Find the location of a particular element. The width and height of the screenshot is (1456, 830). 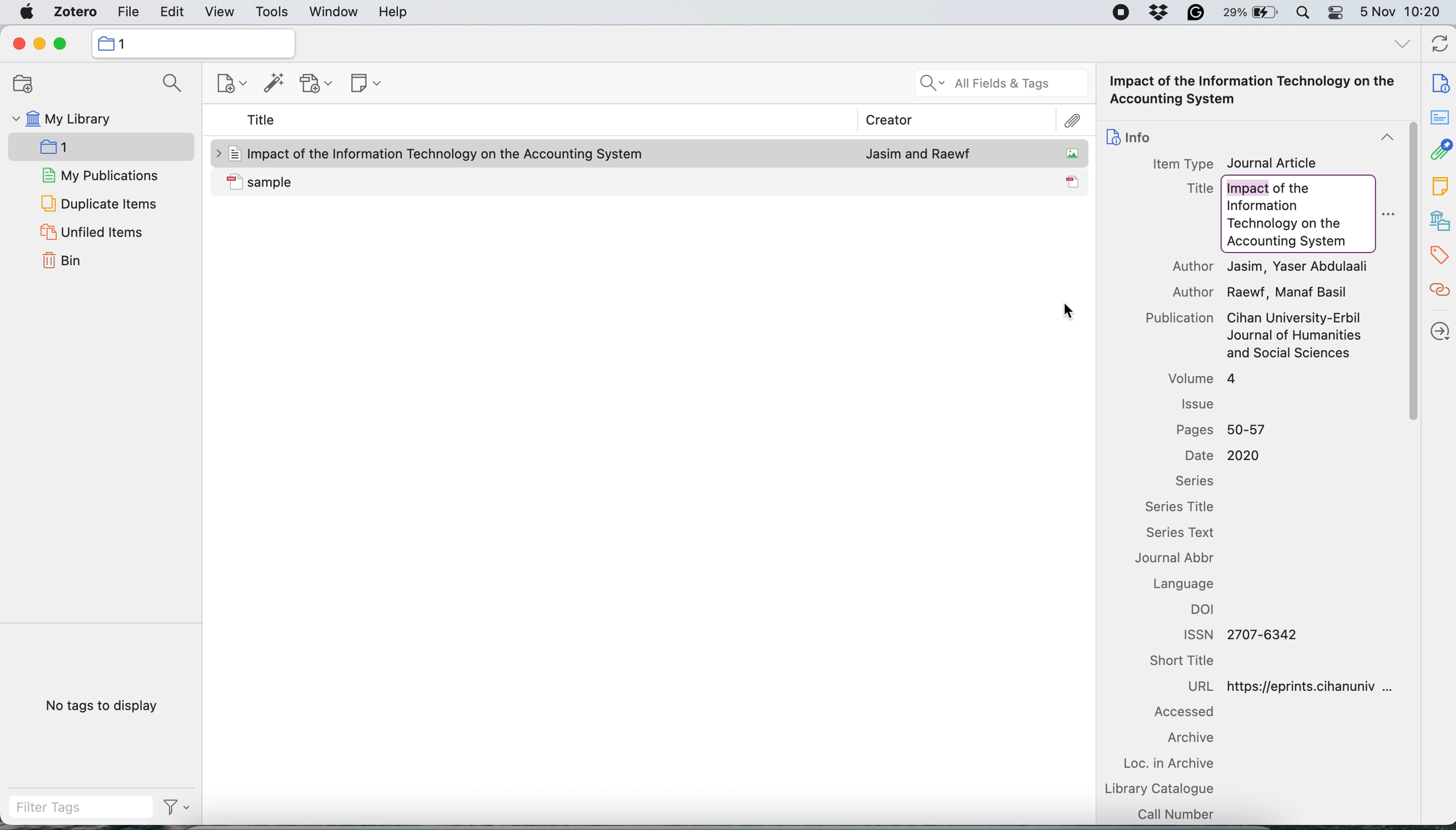

no tags to display is located at coordinates (102, 705).